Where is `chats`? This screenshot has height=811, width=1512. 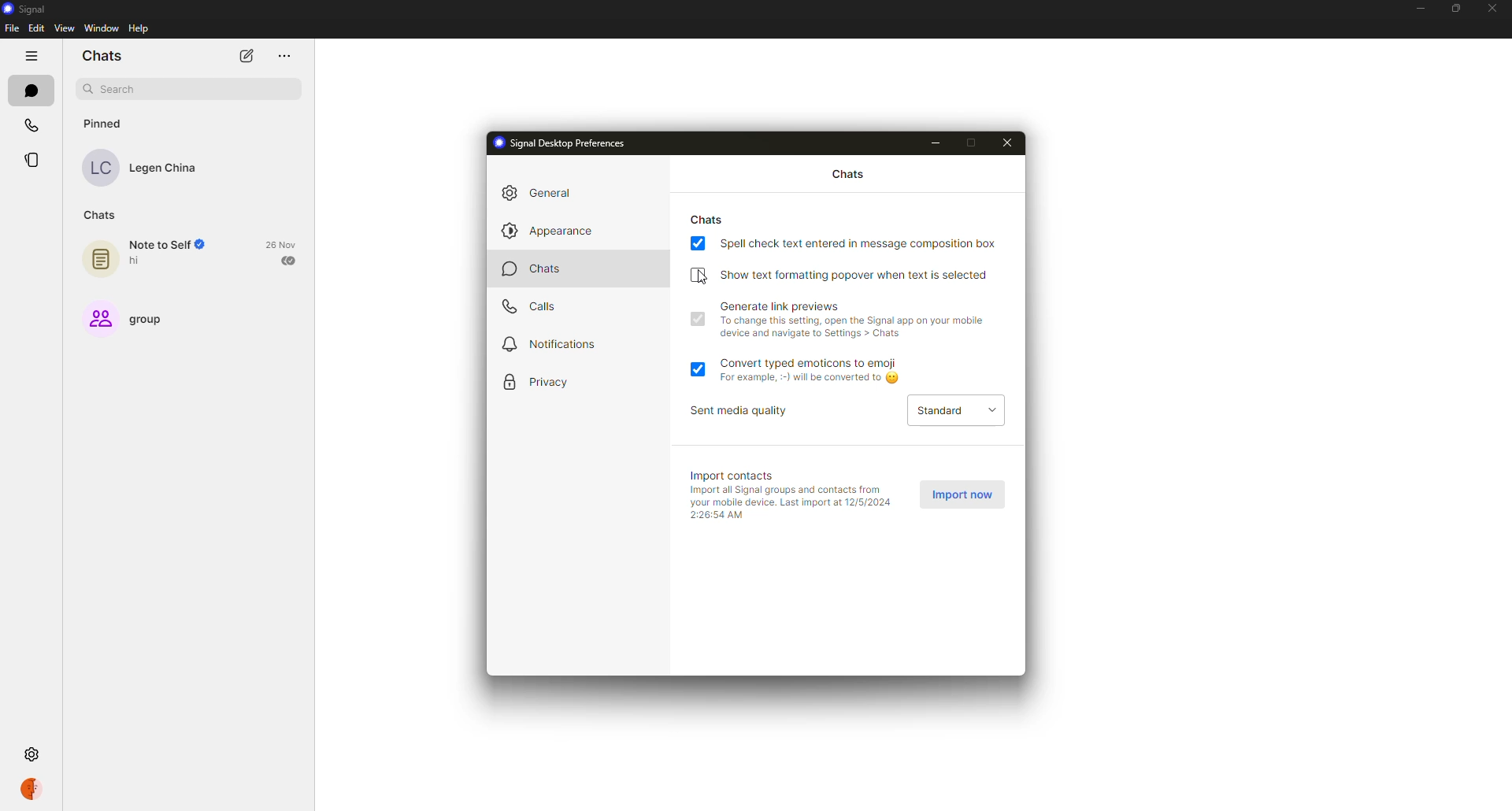 chats is located at coordinates (102, 213).